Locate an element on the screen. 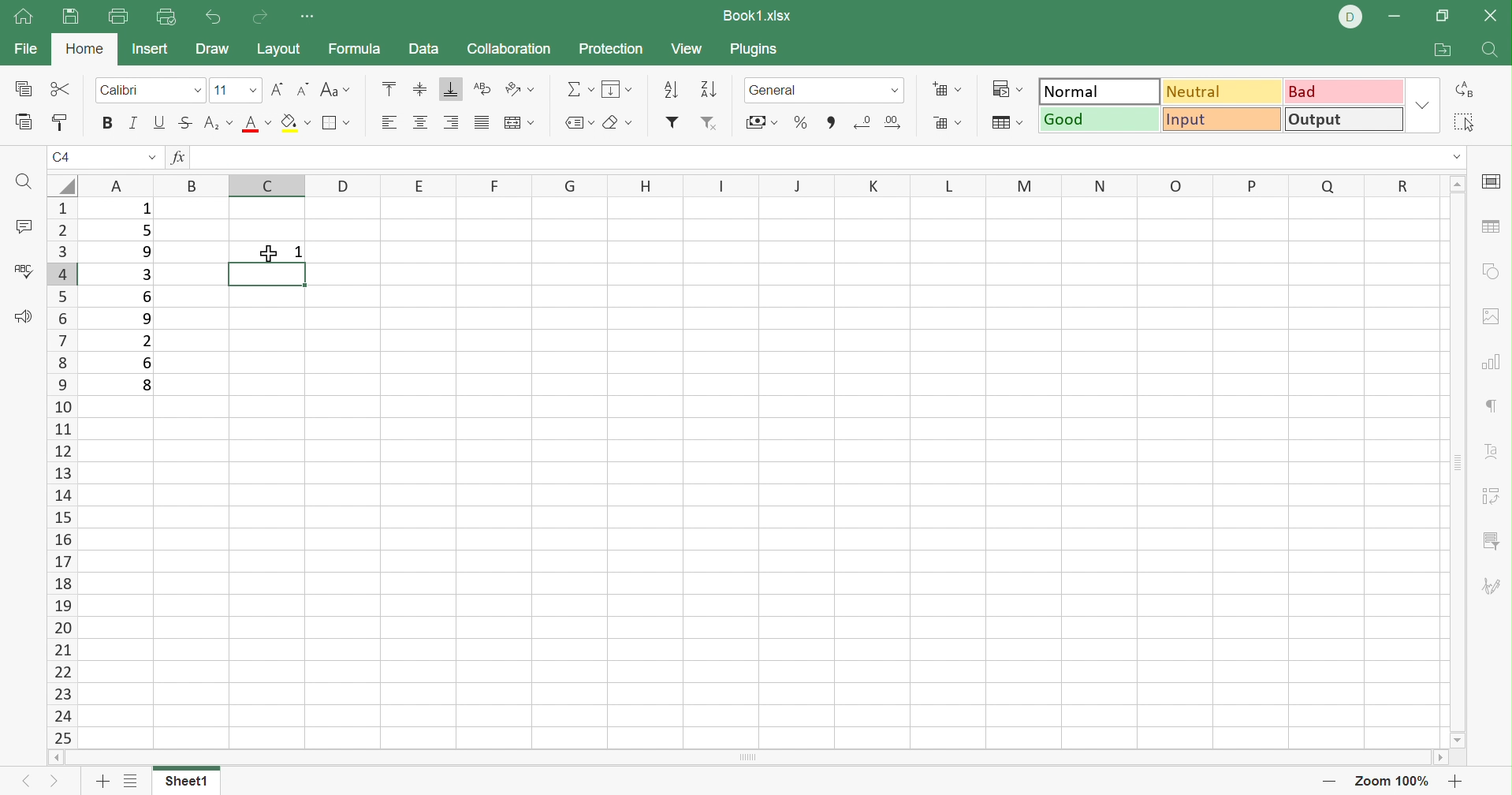 This screenshot has height=795, width=1512. Drop Down is located at coordinates (196, 91).